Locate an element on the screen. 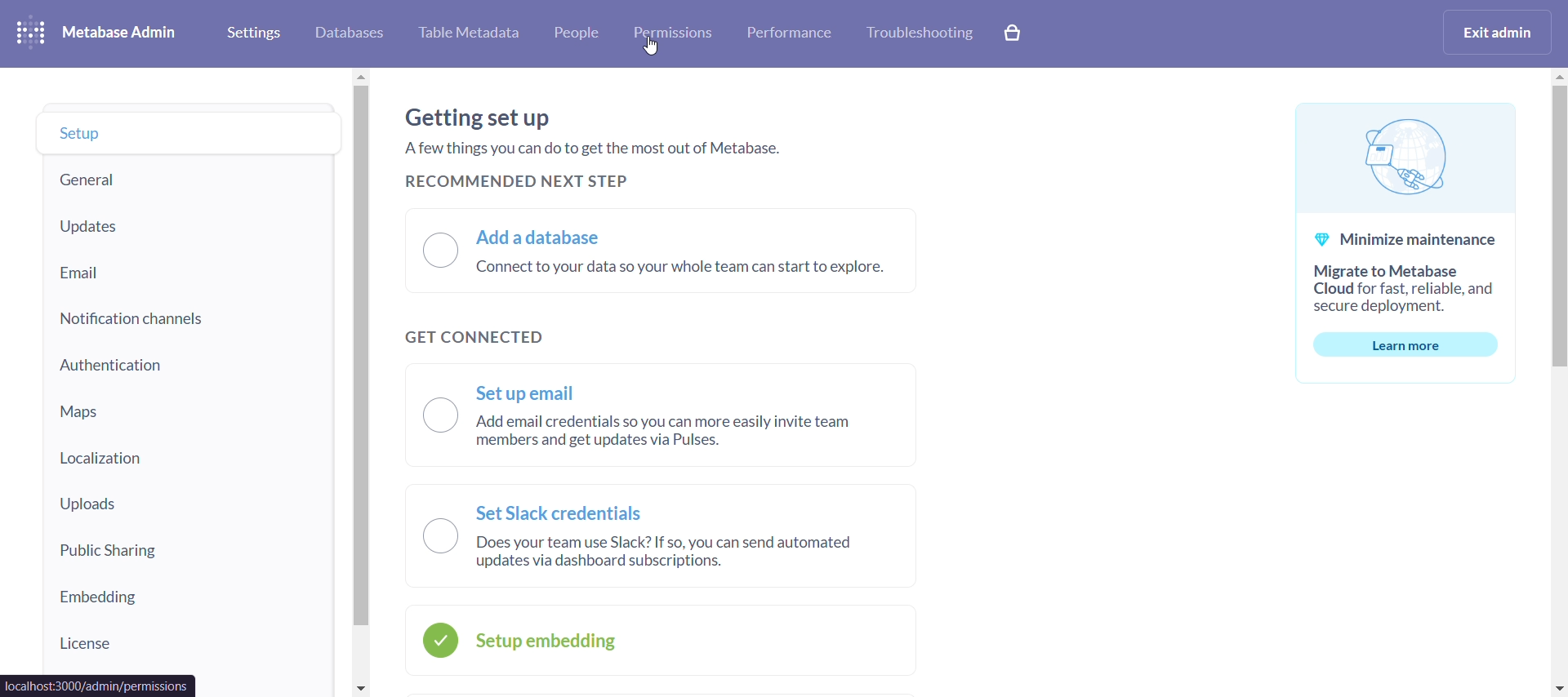  people is located at coordinates (579, 31).